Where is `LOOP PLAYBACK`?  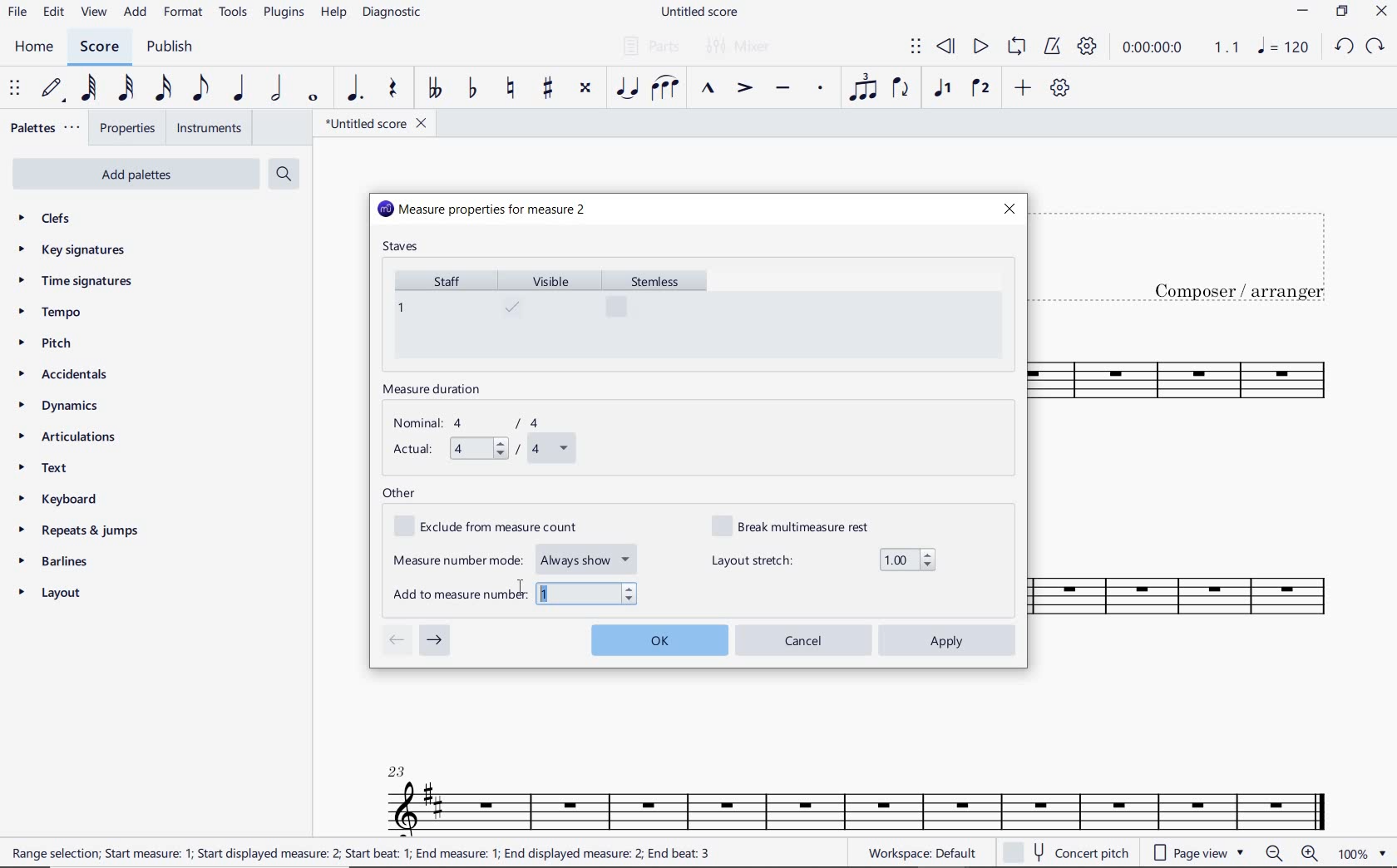
LOOP PLAYBACK is located at coordinates (1016, 48).